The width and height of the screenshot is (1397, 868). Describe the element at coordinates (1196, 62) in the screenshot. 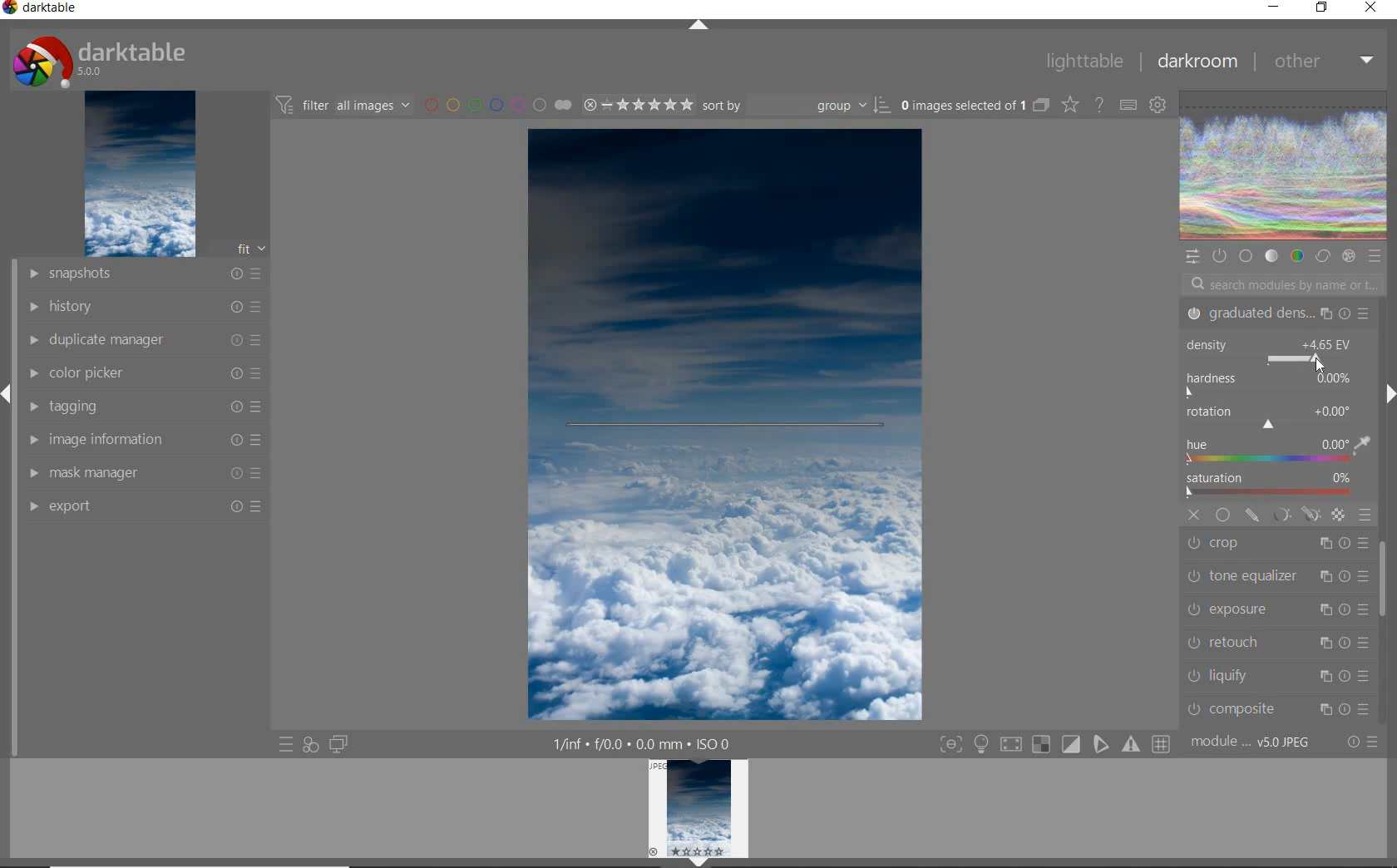

I see `DARKROOM` at that location.